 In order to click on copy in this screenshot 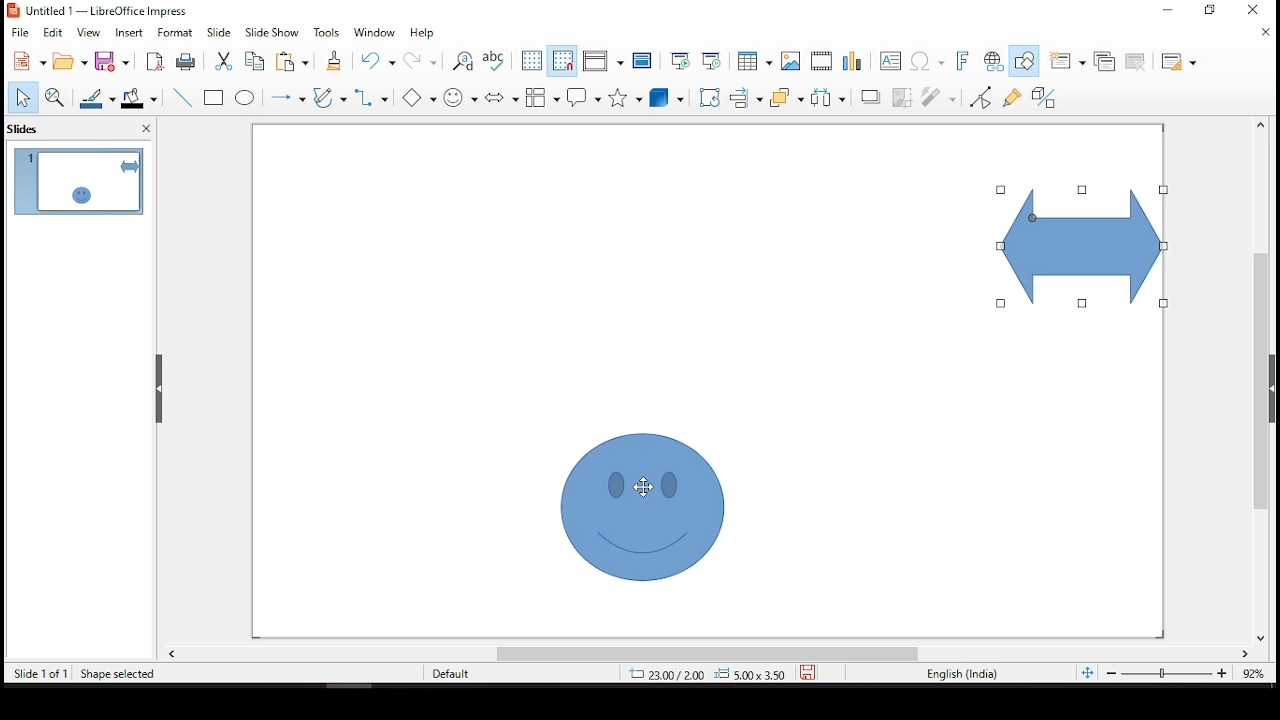, I will do `click(256, 62)`.